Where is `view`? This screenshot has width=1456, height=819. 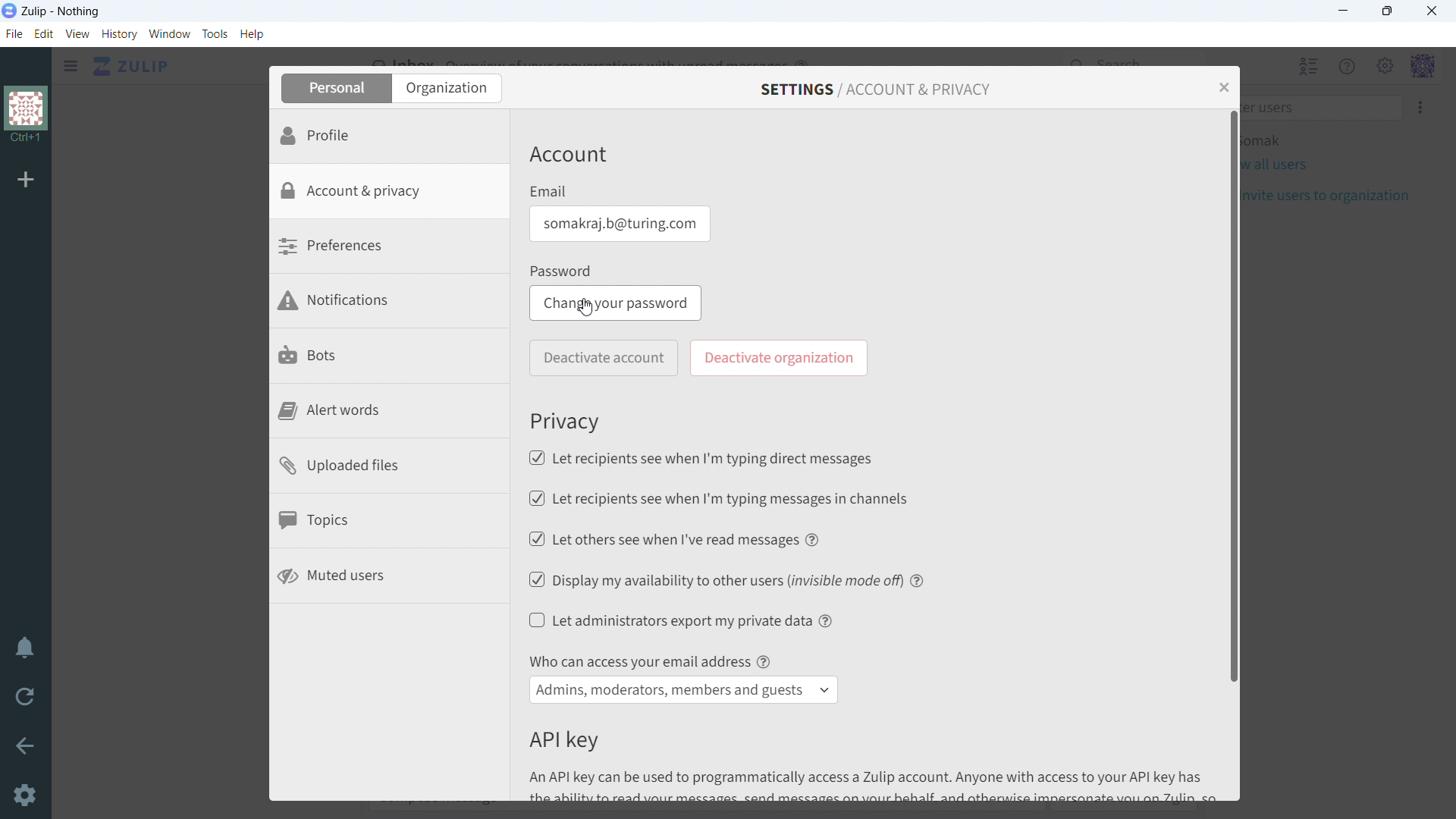
view is located at coordinates (78, 33).